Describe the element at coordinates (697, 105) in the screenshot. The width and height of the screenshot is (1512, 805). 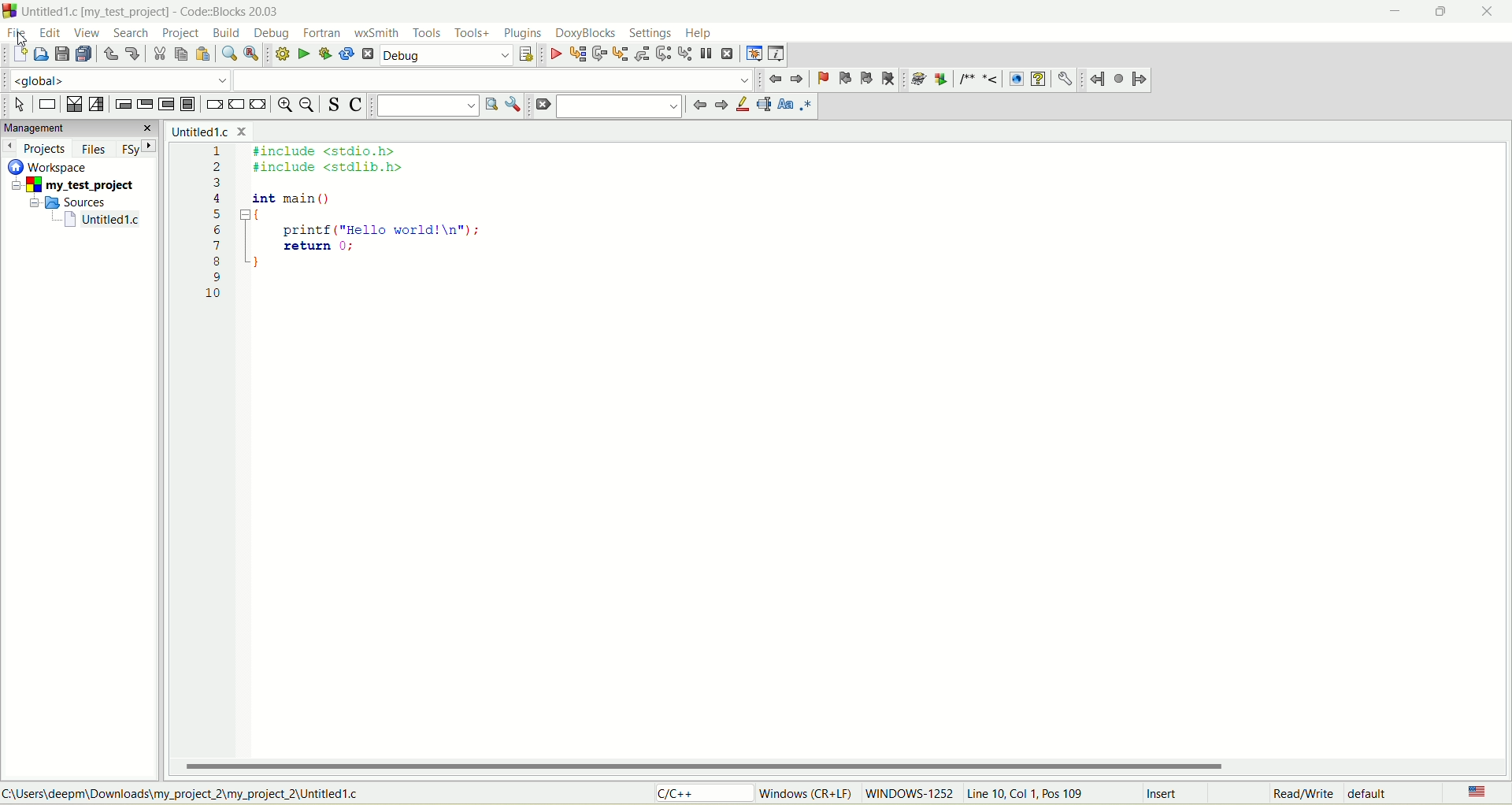
I see `jump back` at that location.